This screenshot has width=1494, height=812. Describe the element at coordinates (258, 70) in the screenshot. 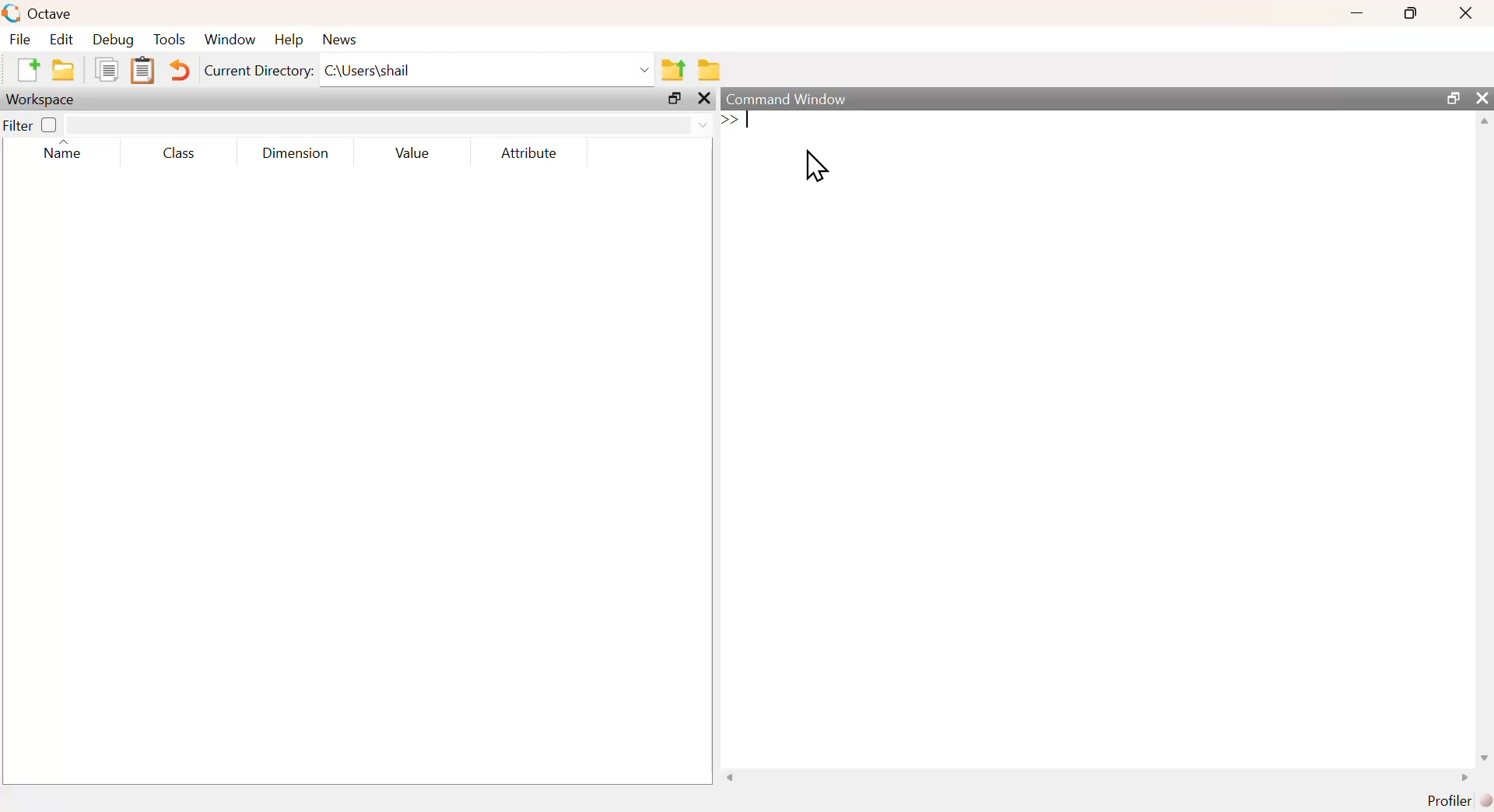

I see `current directory` at that location.